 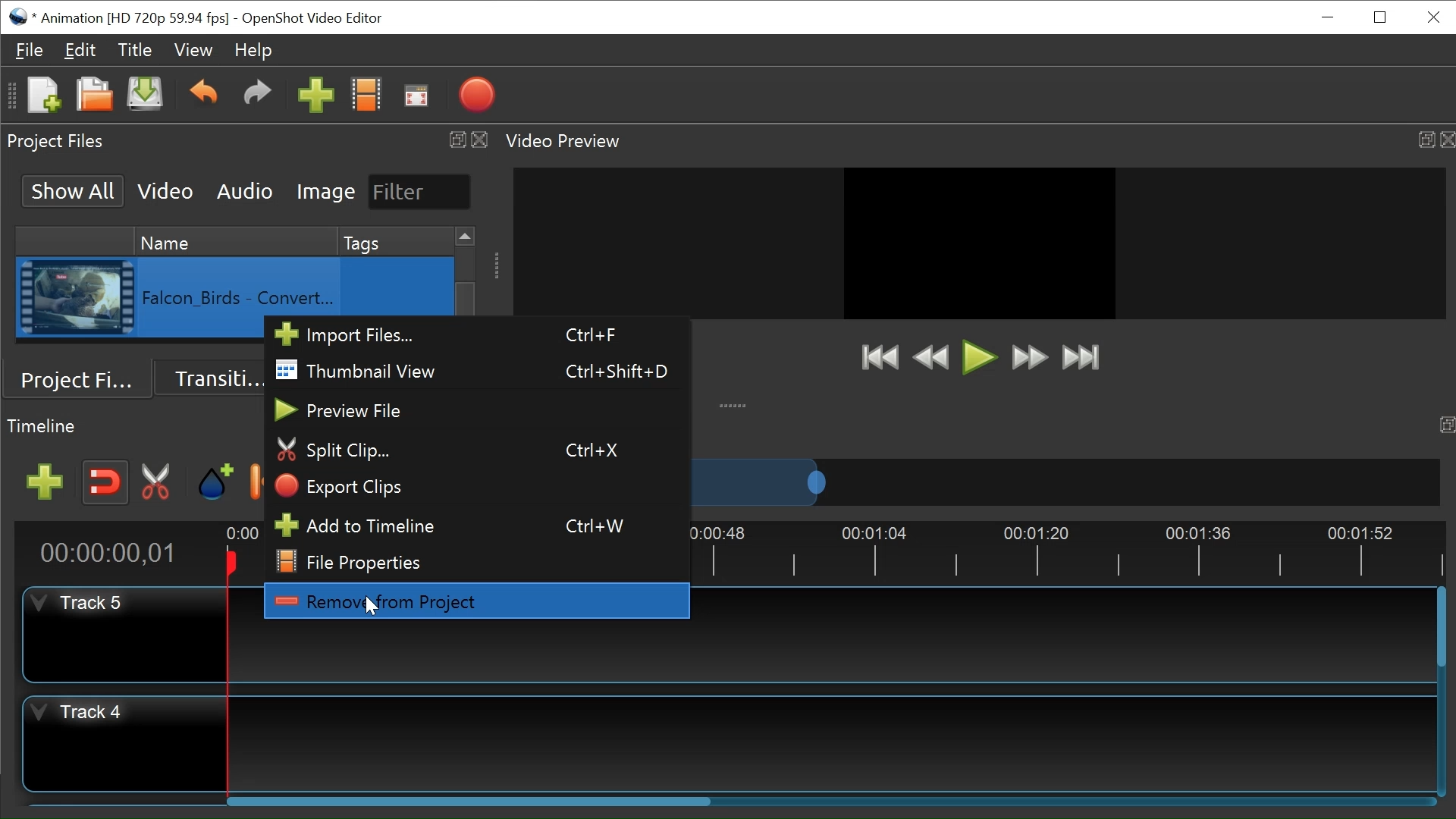 What do you see at coordinates (372, 607) in the screenshot?
I see `Cursor` at bounding box center [372, 607].